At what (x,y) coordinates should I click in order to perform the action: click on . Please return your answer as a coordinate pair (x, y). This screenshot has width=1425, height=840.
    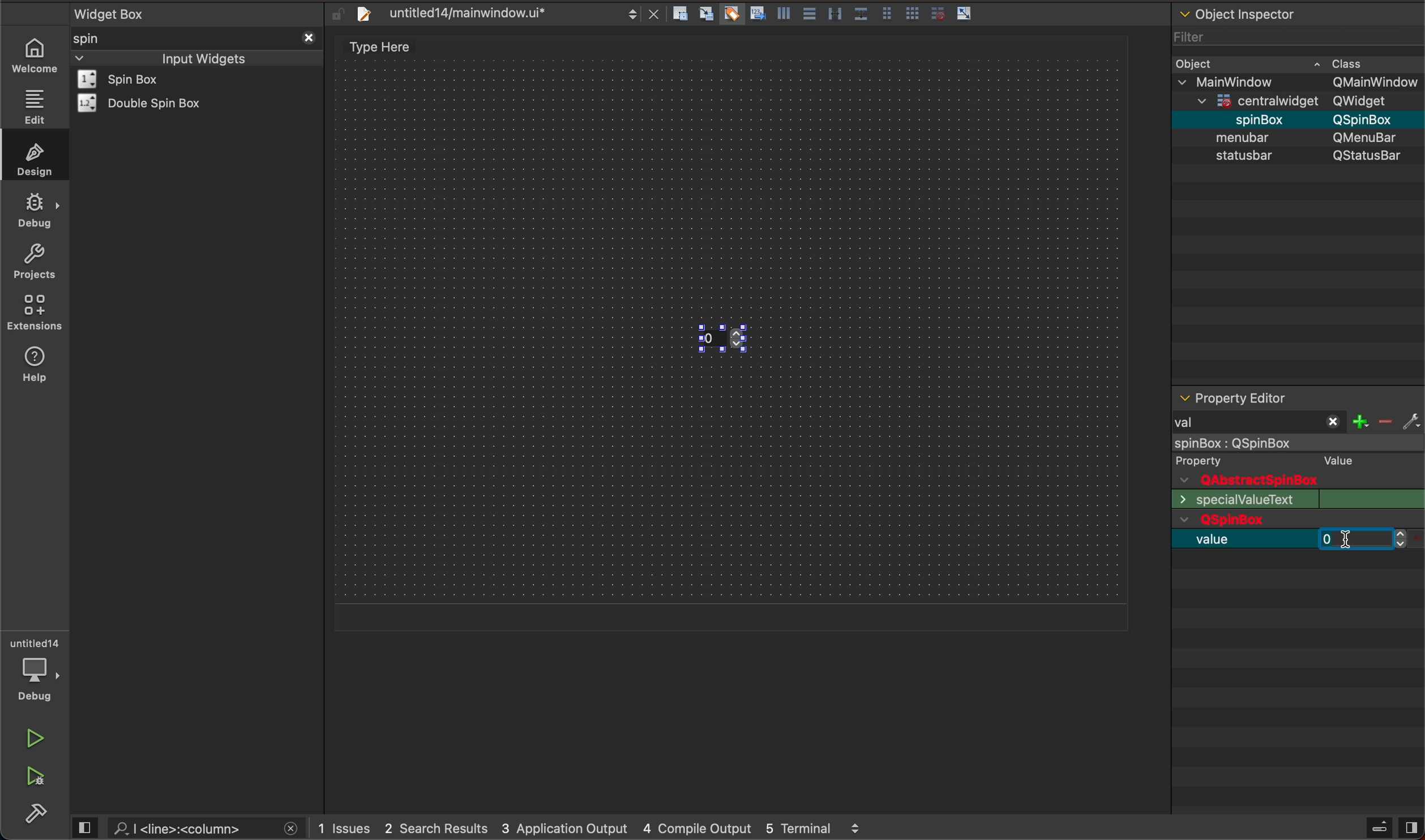
    Looking at the image, I should click on (1248, 118).